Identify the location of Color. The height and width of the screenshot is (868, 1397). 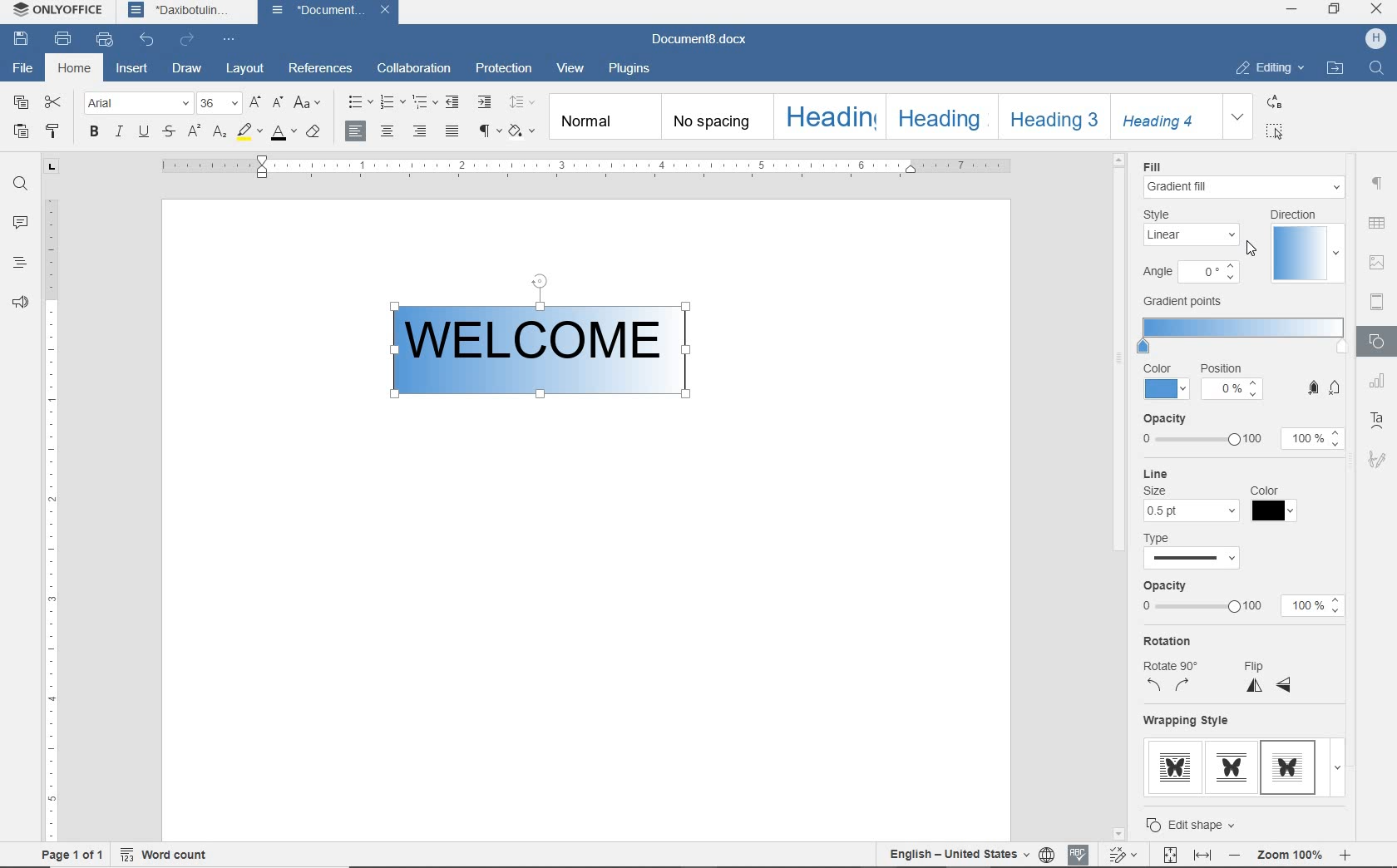
(1266, 490).